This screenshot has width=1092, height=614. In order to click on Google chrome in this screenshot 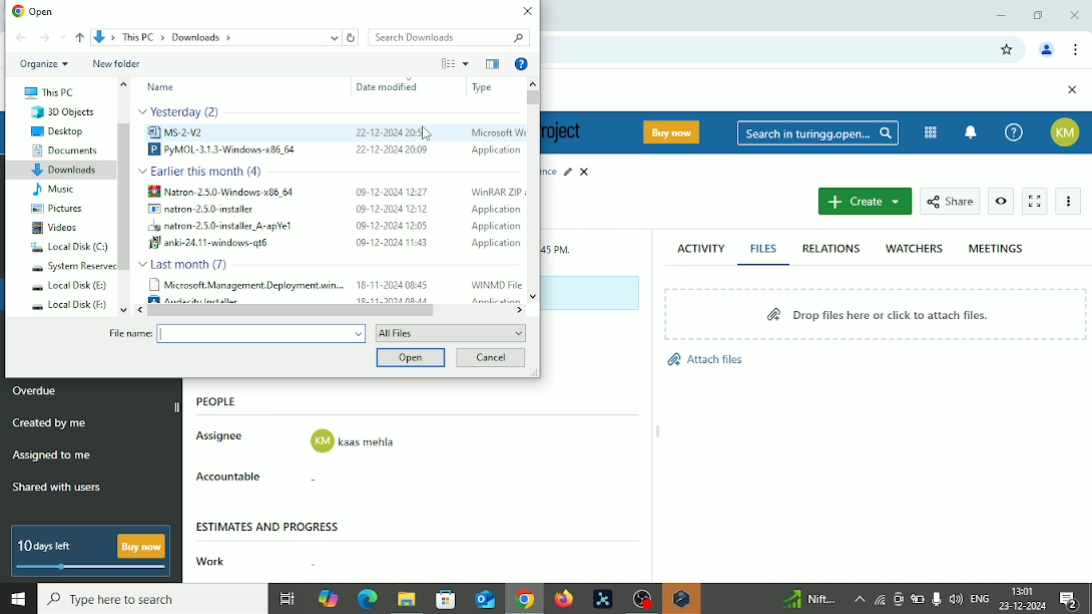, I will do `click(524, 601)`.